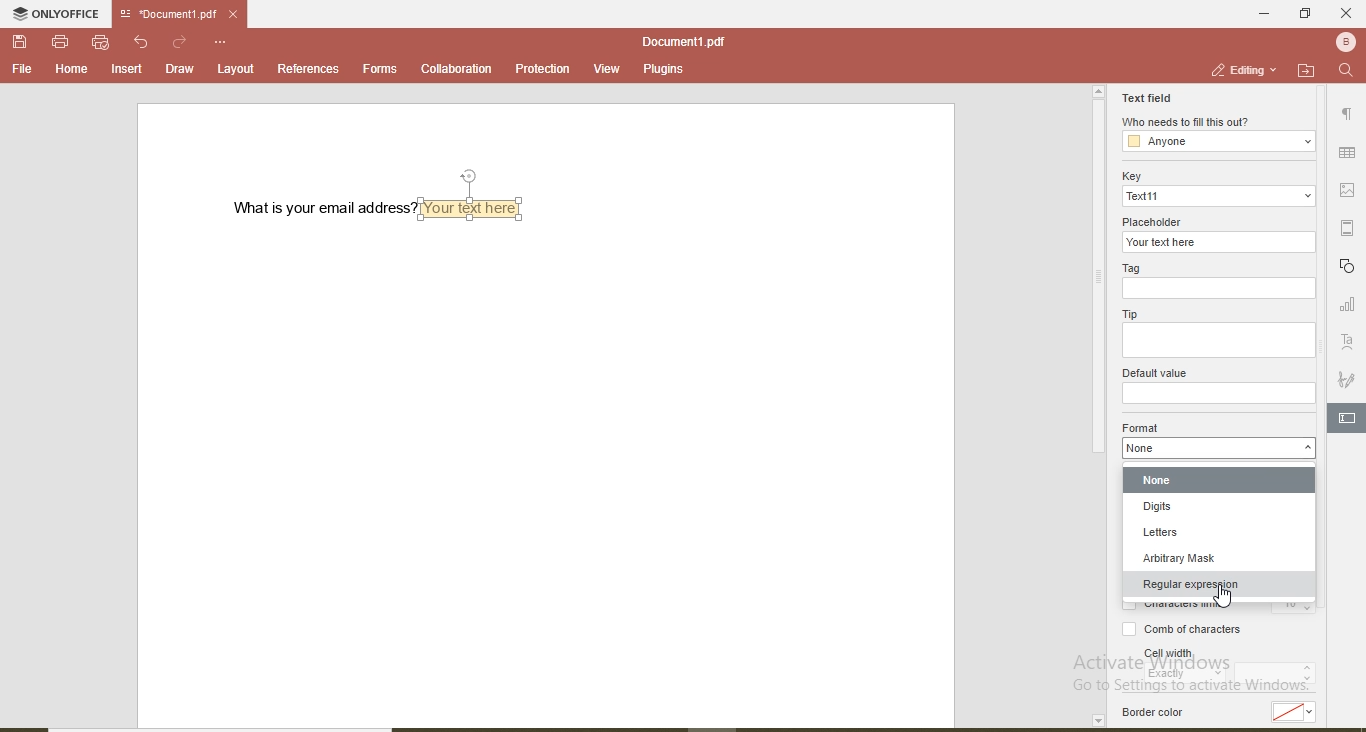 The height and width of the screenshot is (732, 1366). What do you see at coordinates (1222, 509) in the screenshot?
I see `digits` at bounding box center [1222, 509].